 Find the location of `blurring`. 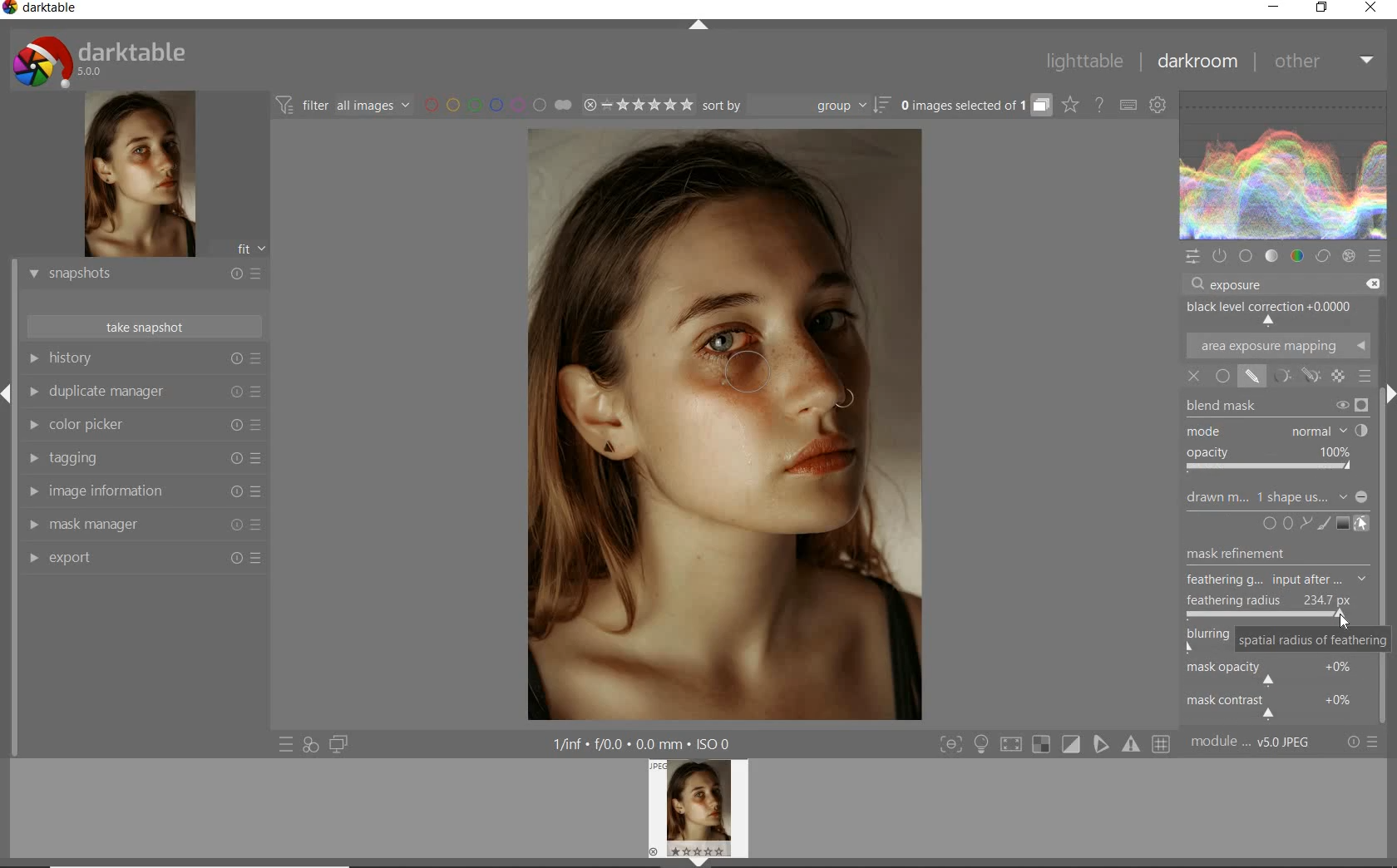

blurring is located at coordinates (1207, 638).